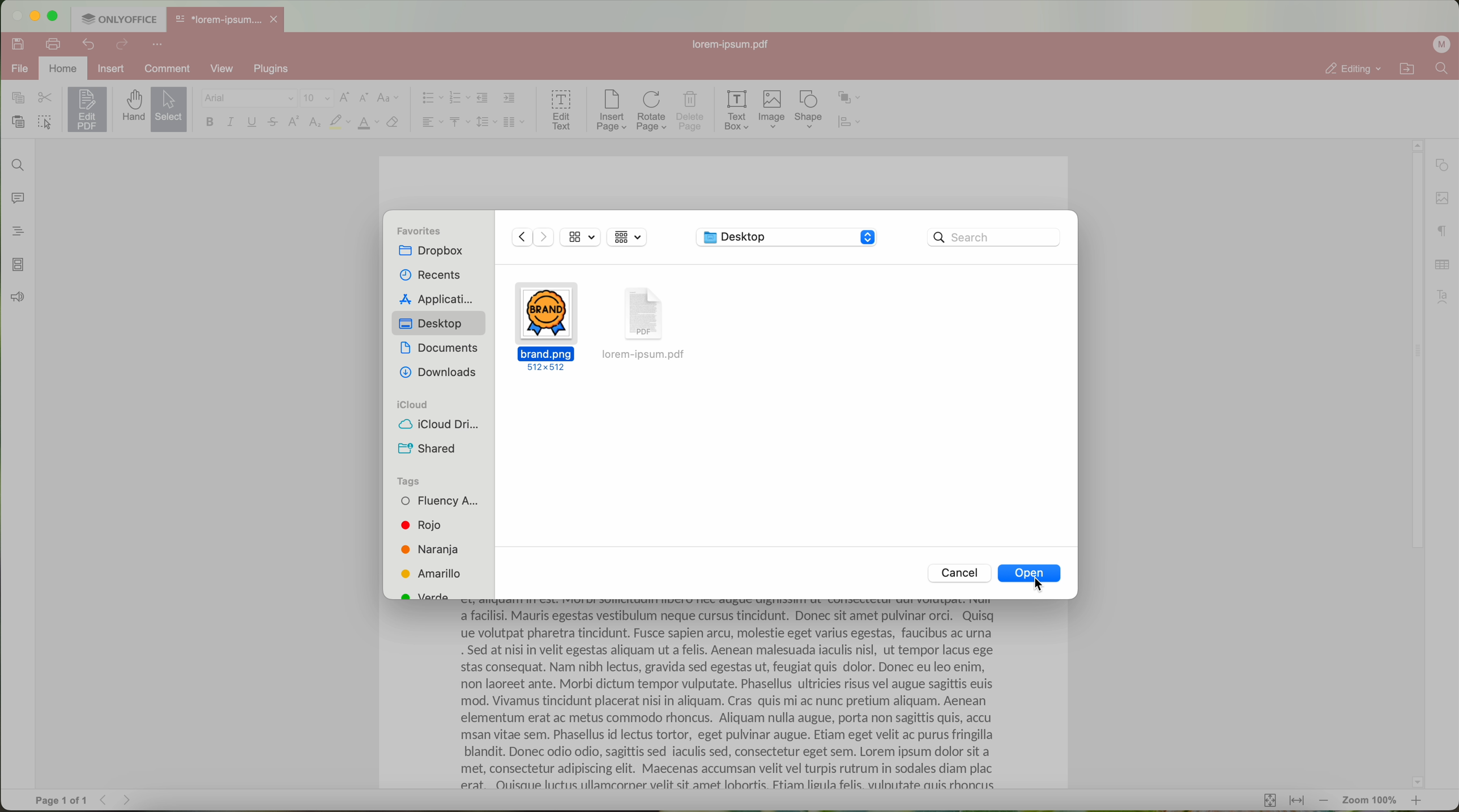  Describe the element at coordinates (519, 236) in the screenshot. I see `Backward` at that location.